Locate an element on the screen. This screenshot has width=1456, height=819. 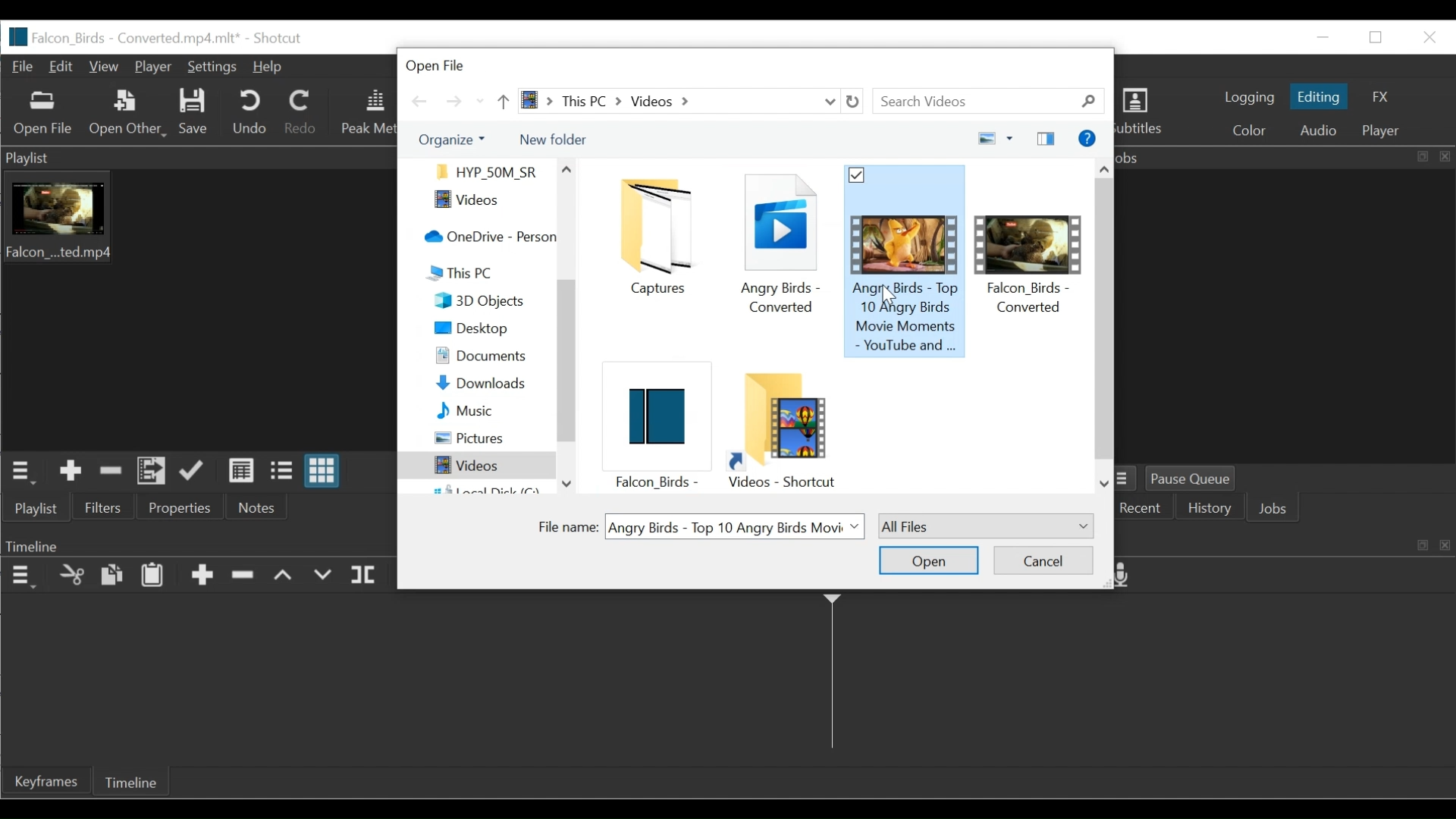
Timeline Panel is located at coordinates (21, 576).